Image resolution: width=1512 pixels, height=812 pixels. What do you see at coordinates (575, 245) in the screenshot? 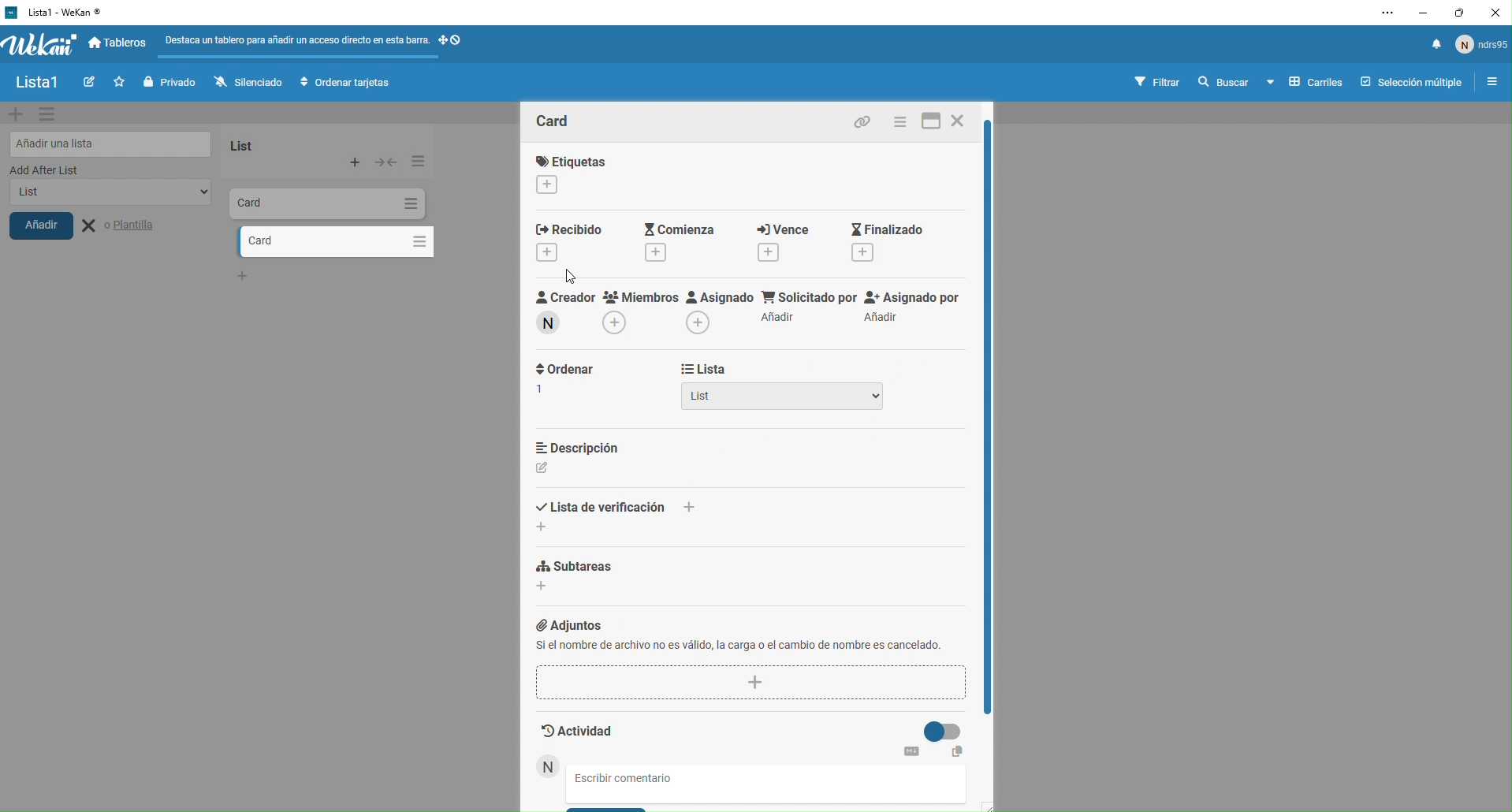
I see `Recibido` at bounding box center [575, 245].